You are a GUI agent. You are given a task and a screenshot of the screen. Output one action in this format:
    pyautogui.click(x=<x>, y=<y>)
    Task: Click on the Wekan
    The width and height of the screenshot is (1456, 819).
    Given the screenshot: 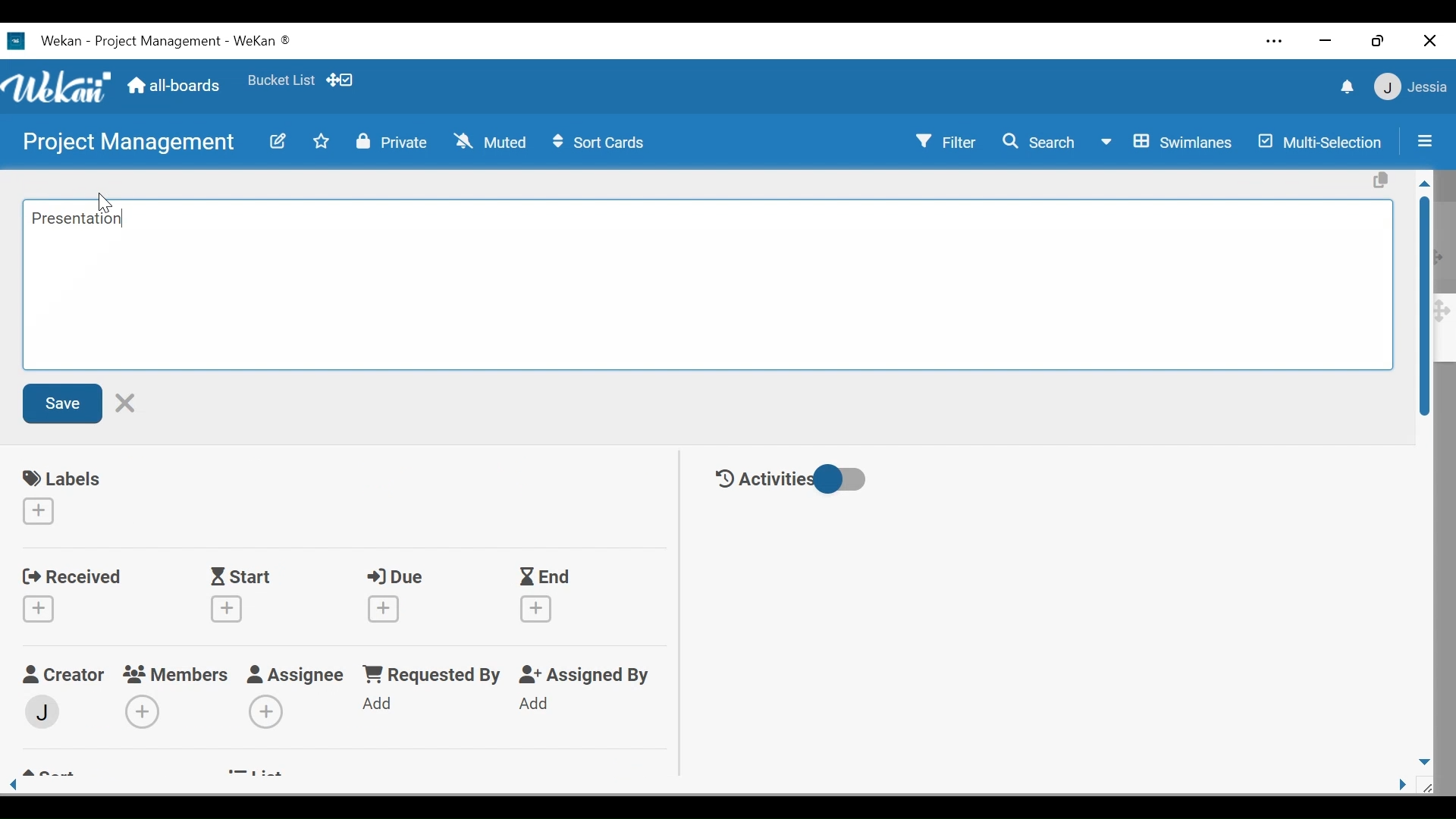 What is the action you would take?
    pyautogui.click(x=262, y=42)
    